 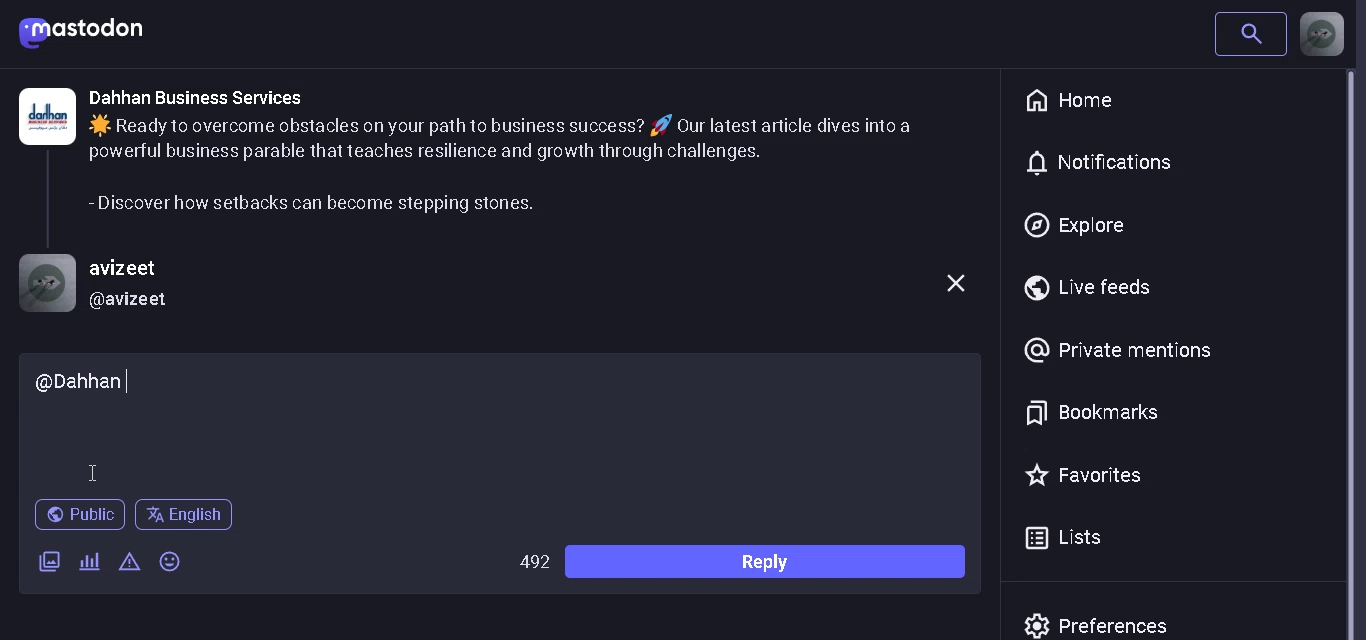 I want to click on bookmarks, so click(x=1092, y=411).